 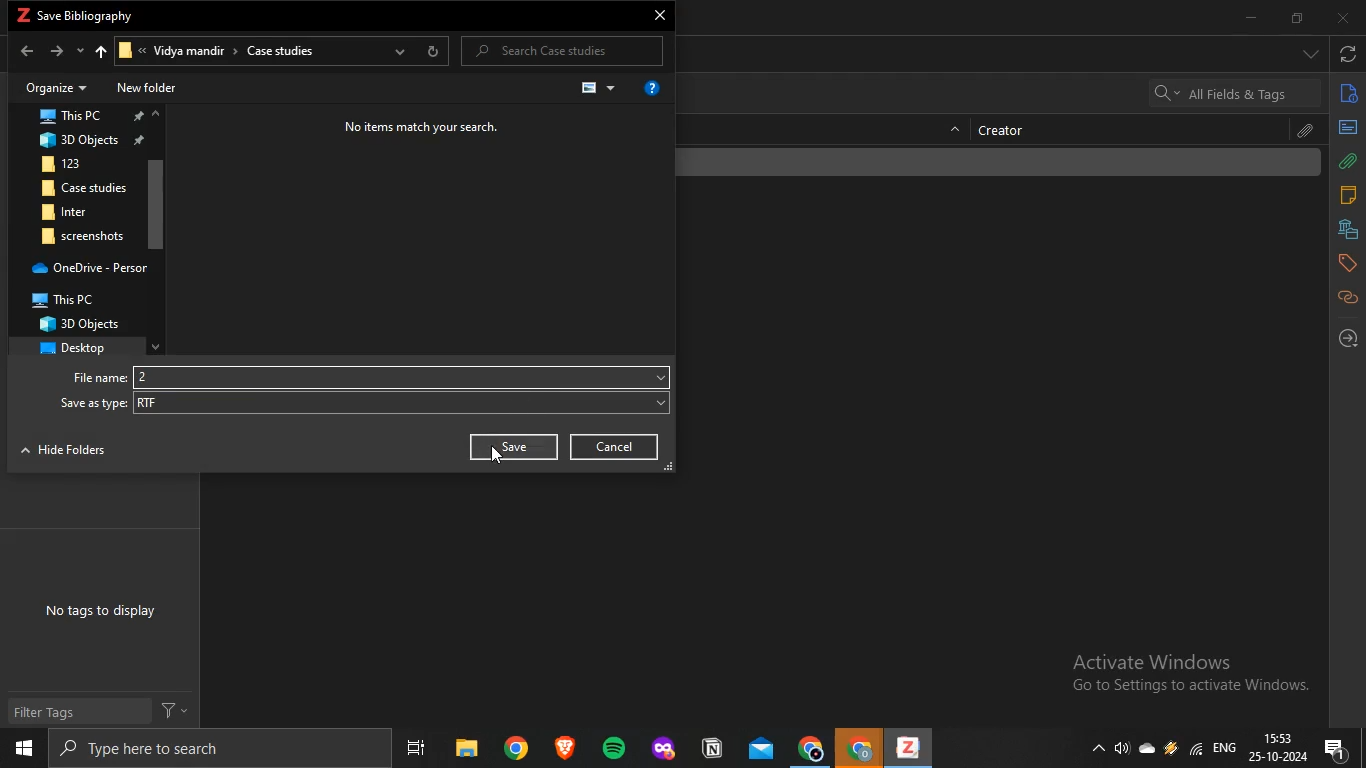 I want to click on P Search Case studies, so click(x=565, y=50).